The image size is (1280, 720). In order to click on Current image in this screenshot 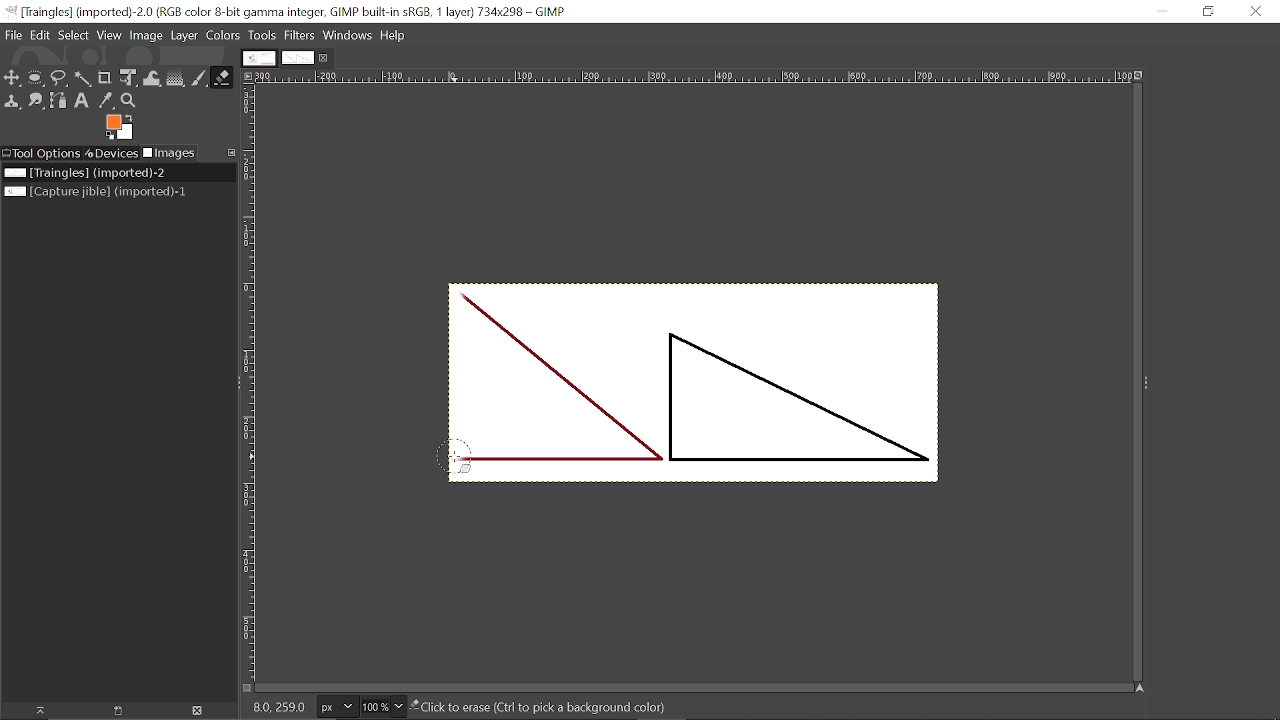, I will do `click(85, 173)`.